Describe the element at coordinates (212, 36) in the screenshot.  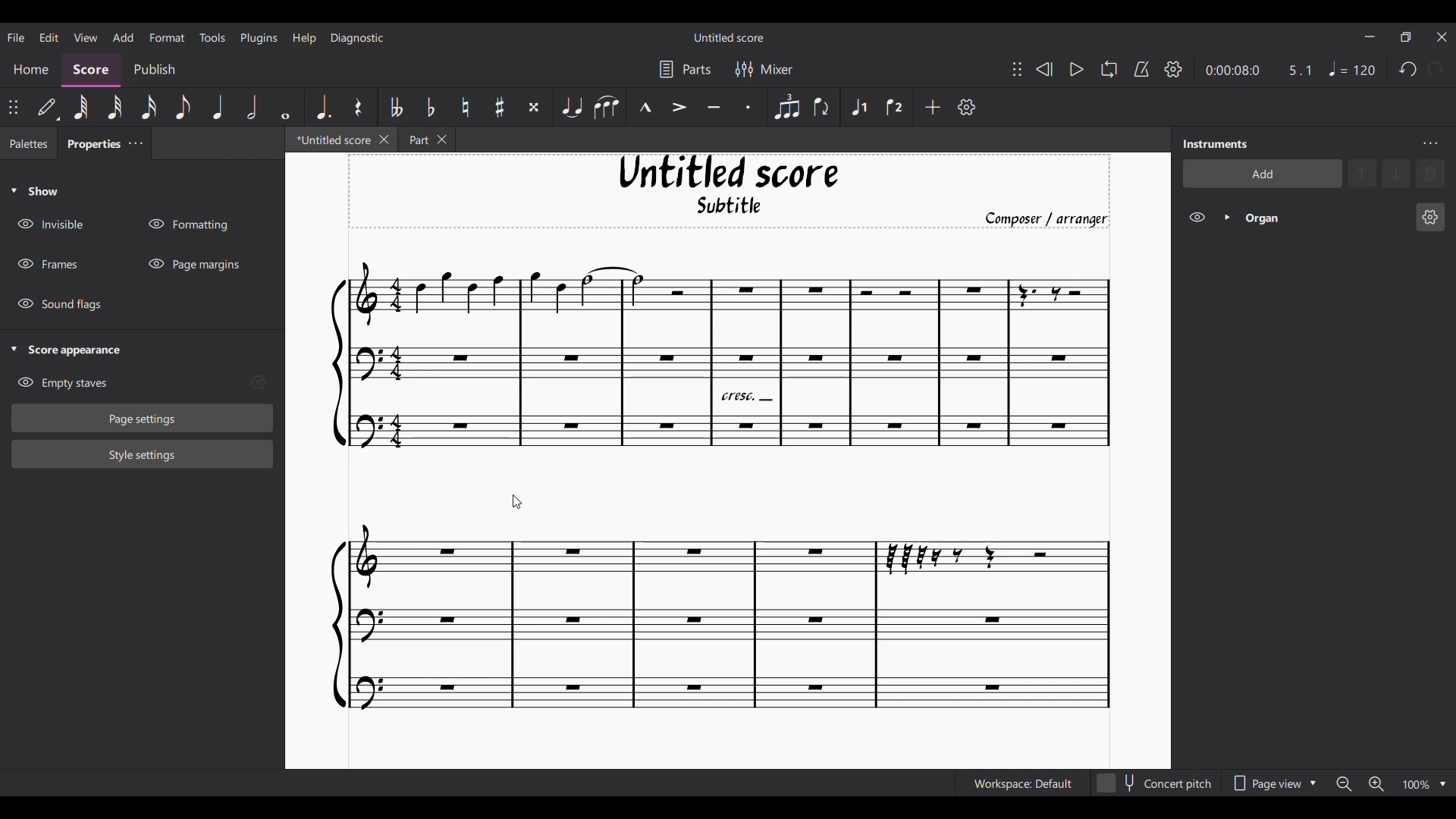
I see `Tools menu` at that location.